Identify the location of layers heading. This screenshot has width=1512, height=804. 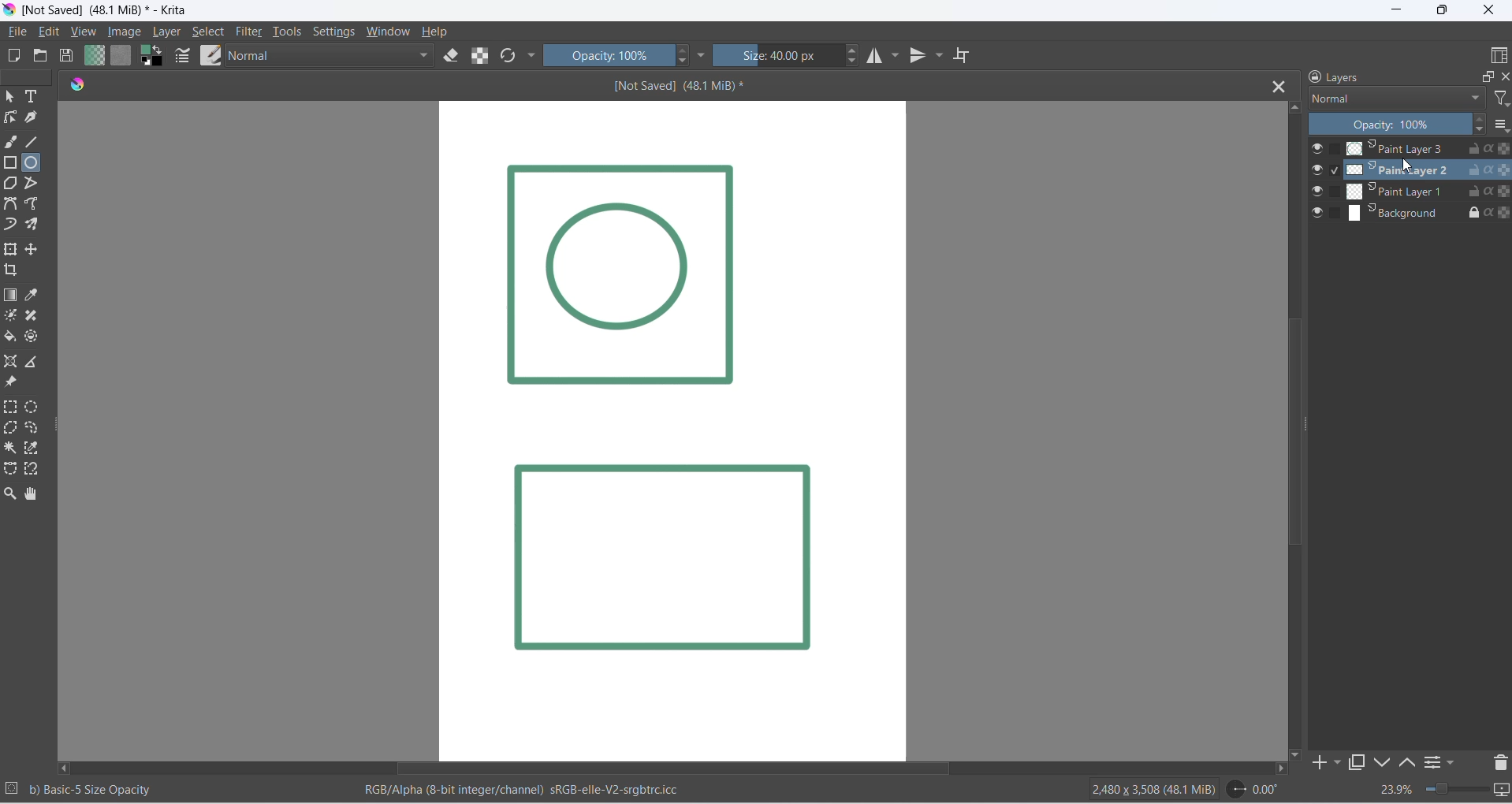
(1380, 76).